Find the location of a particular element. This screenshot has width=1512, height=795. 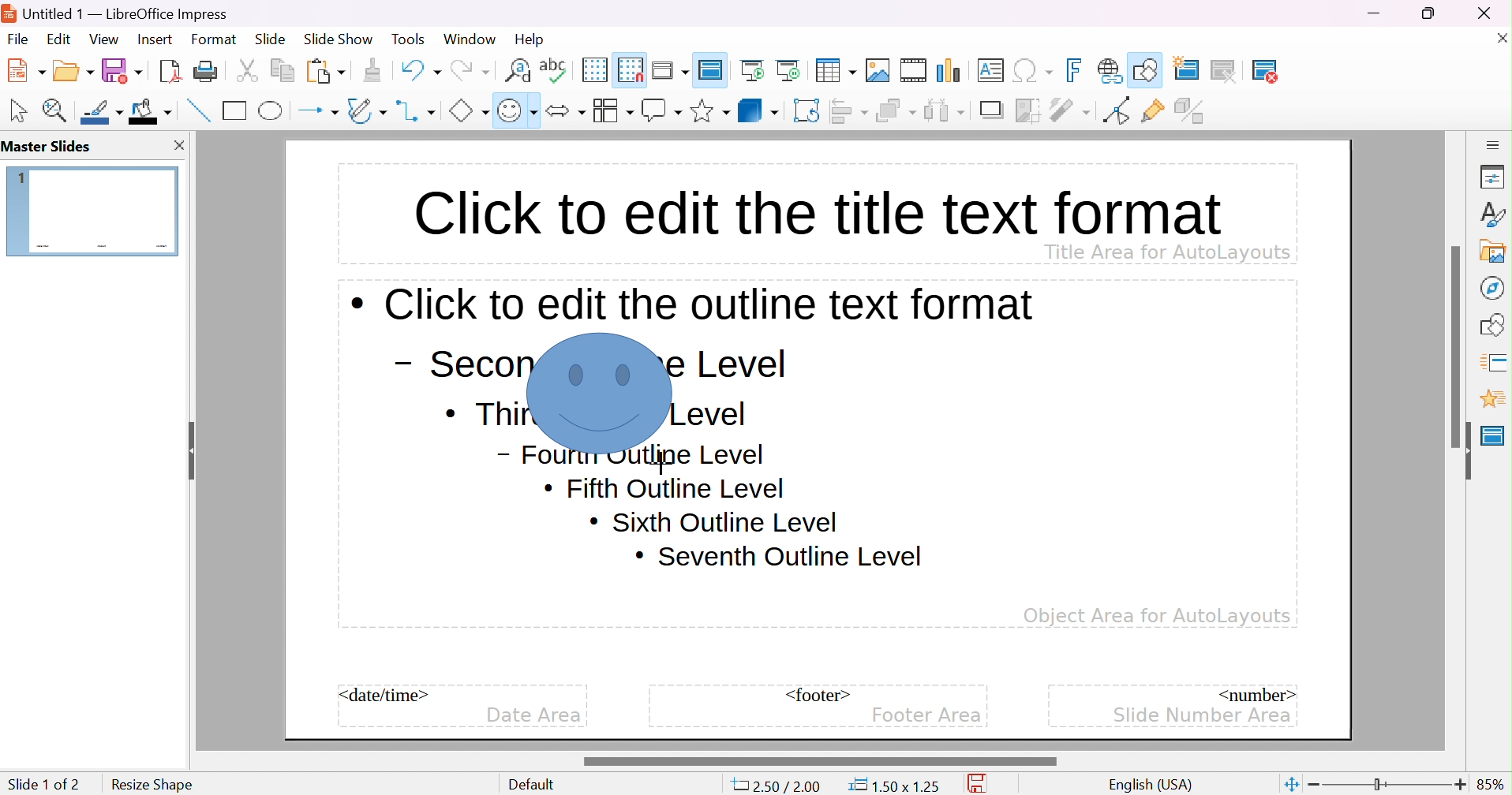

print is located at coordinates (205, 70).